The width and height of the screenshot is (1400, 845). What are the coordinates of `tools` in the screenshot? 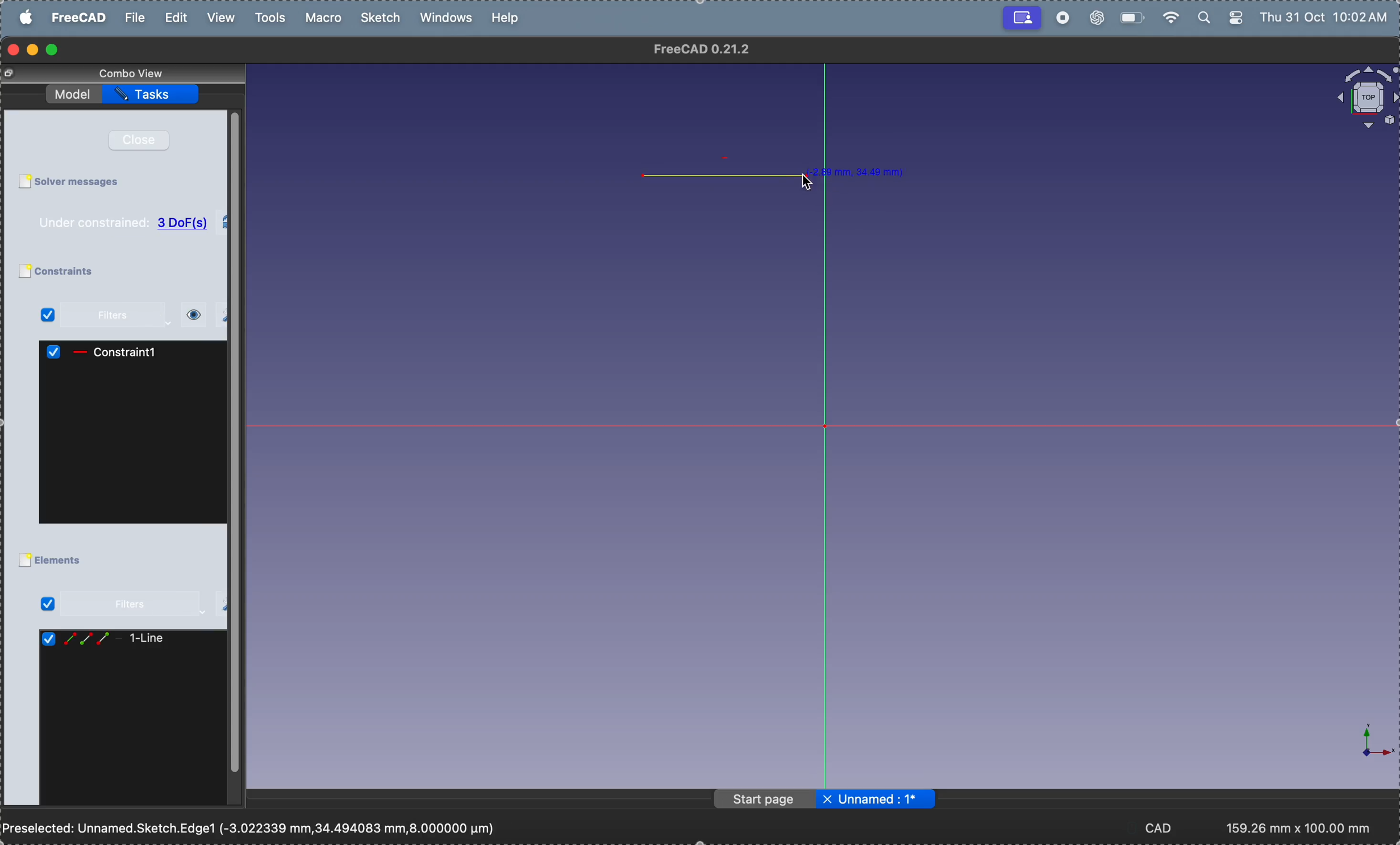 It's located at (273, 18).